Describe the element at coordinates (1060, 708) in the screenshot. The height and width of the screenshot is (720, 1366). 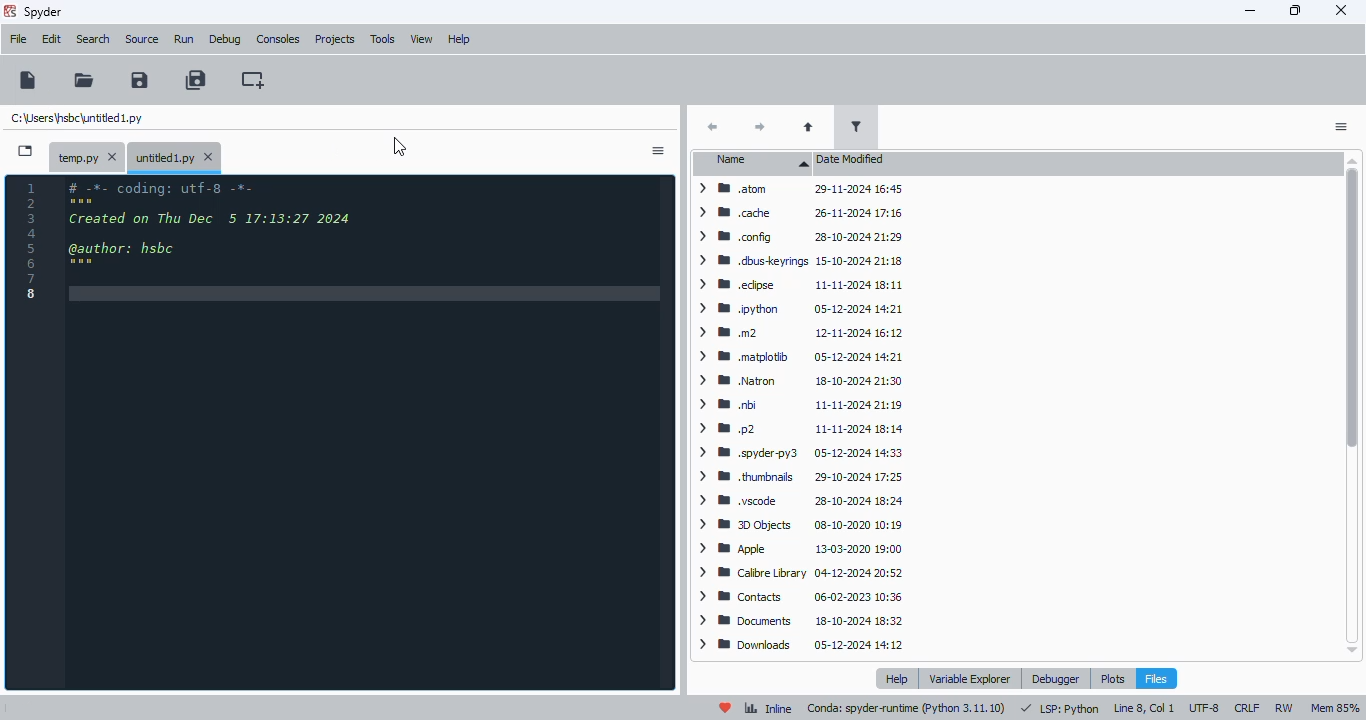
I see `LSP: Python` at that location.